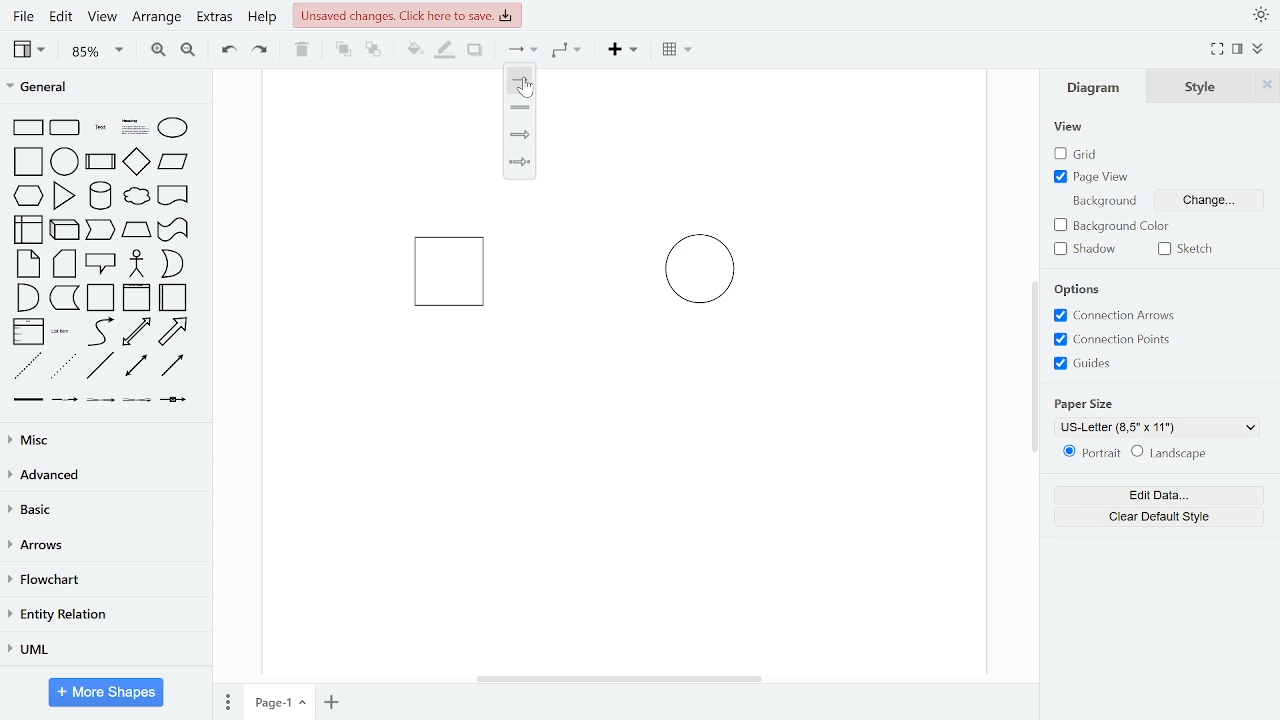 The width and height of the screenshot is (1280, 720). What do you see at coordinates (136, 332) in the screenshot?
I see `bidirectional arrow` at bounding box center [136, 332].